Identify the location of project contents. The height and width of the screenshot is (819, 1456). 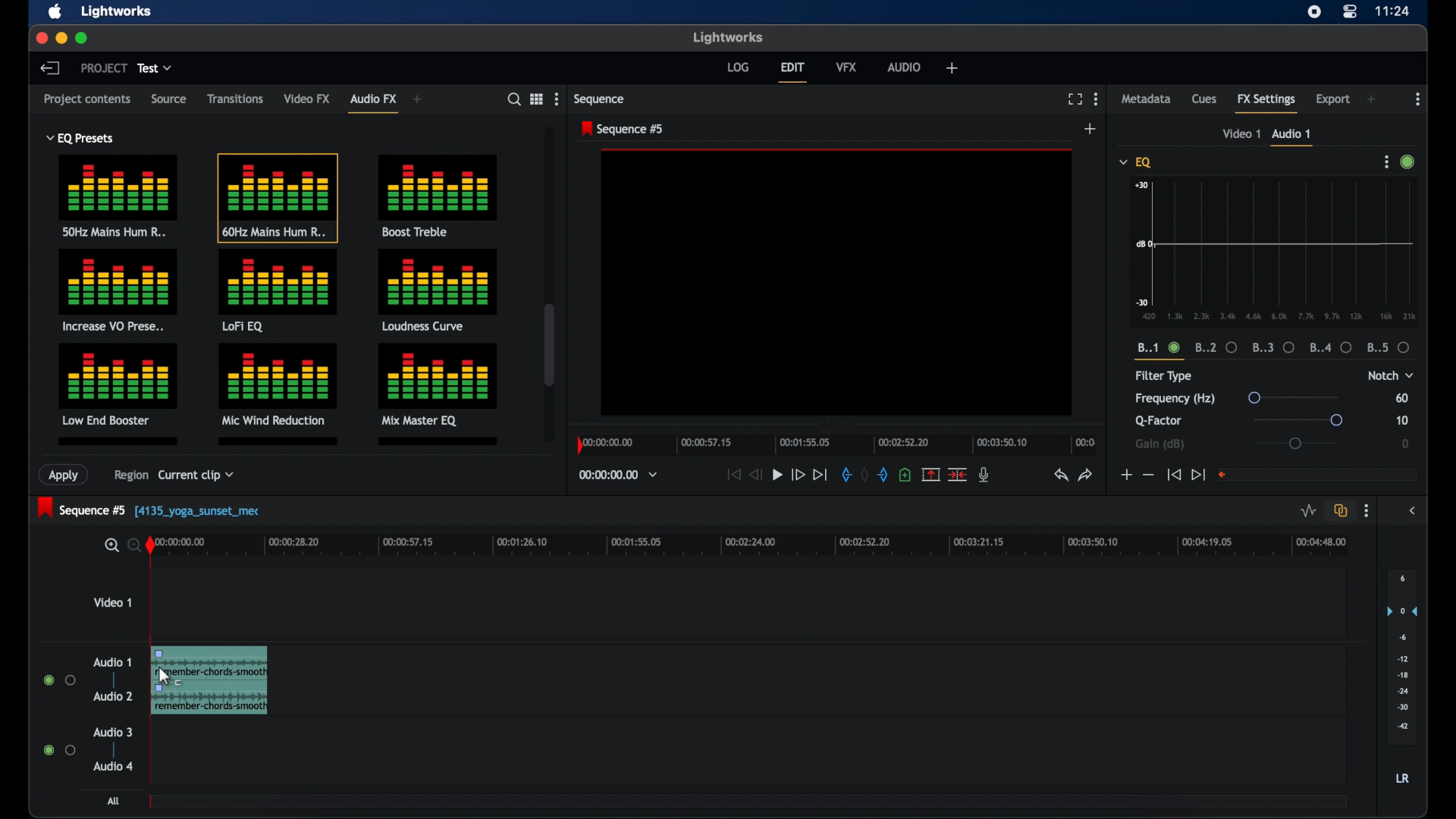
(87, 102).